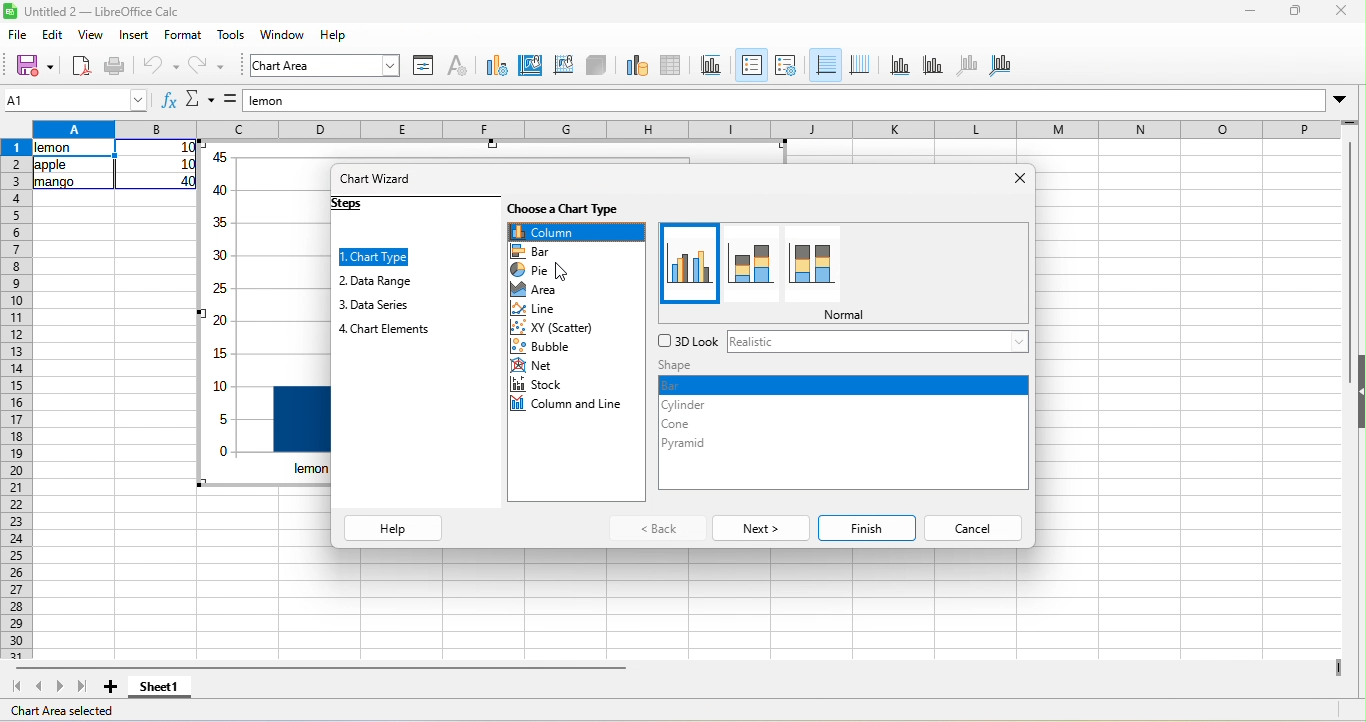 The image size is (1366, 722). What do you see at coordinates (318, 667) in the screenshot?
I see `horizontal scroll bar` at bounding box center [318, 667].